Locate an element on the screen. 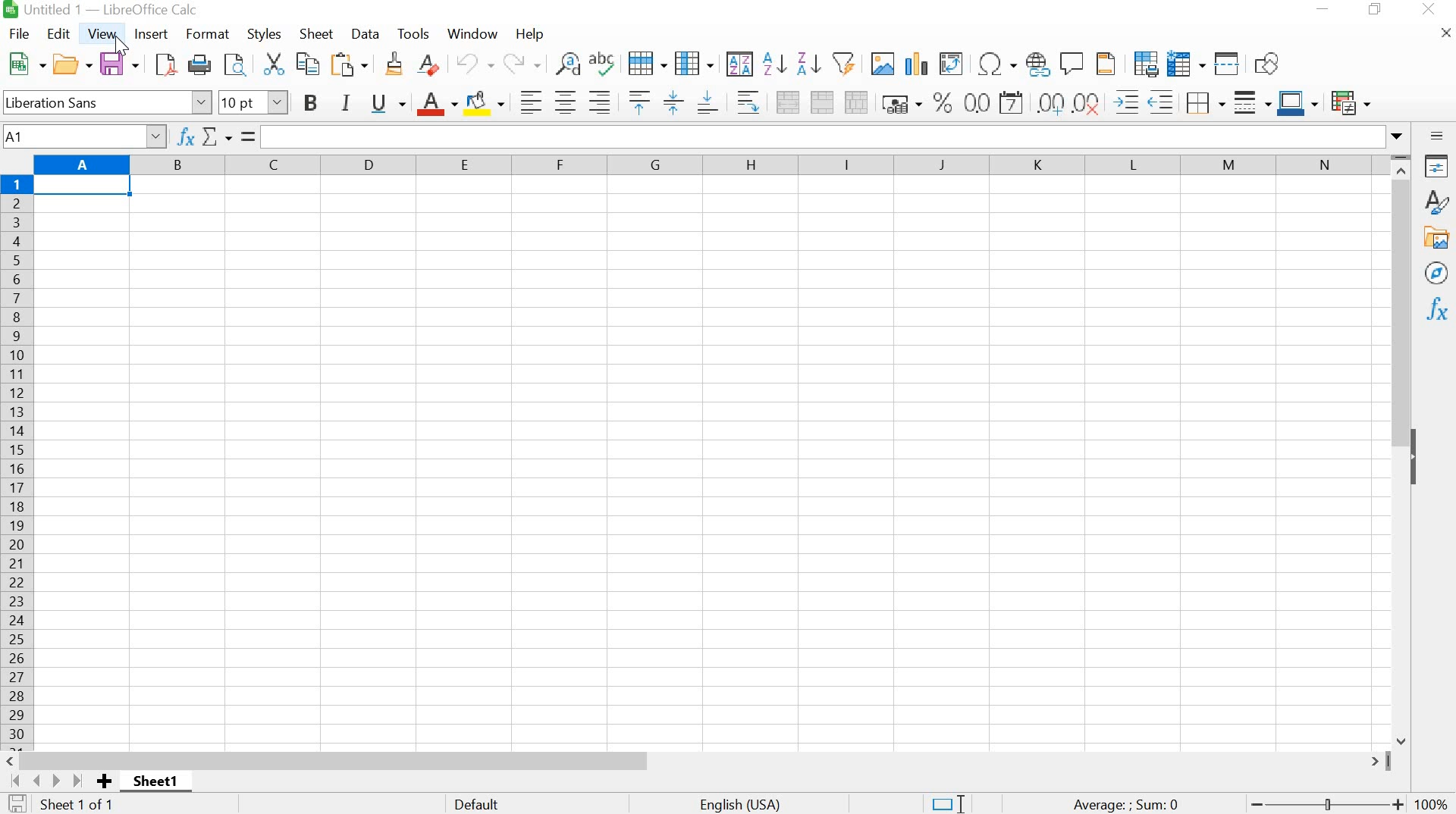  UNDERLINE is located at coordinates (388, 103).